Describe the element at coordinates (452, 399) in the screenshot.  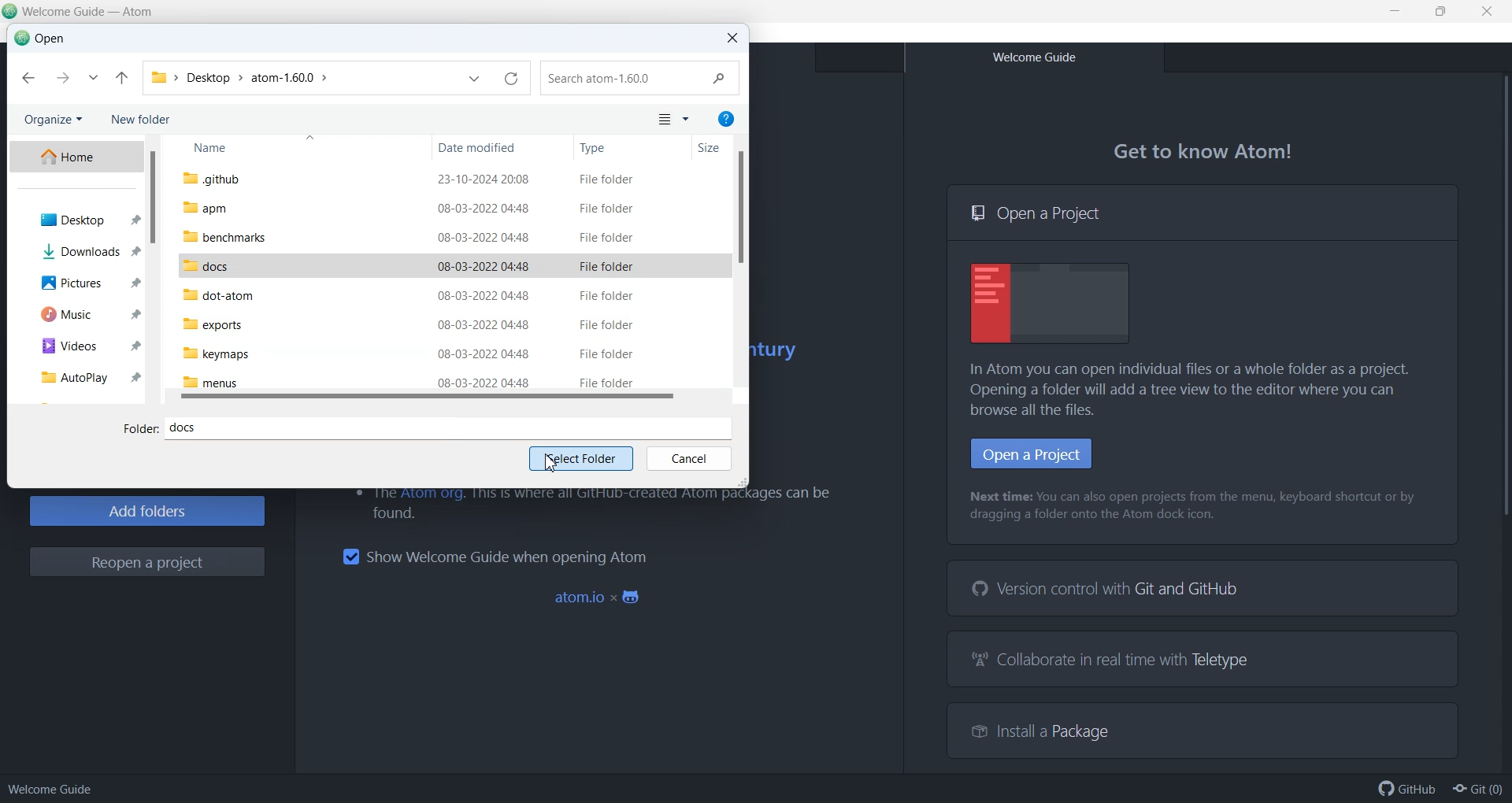
I see `Horizontal Scroll bar` at that location.